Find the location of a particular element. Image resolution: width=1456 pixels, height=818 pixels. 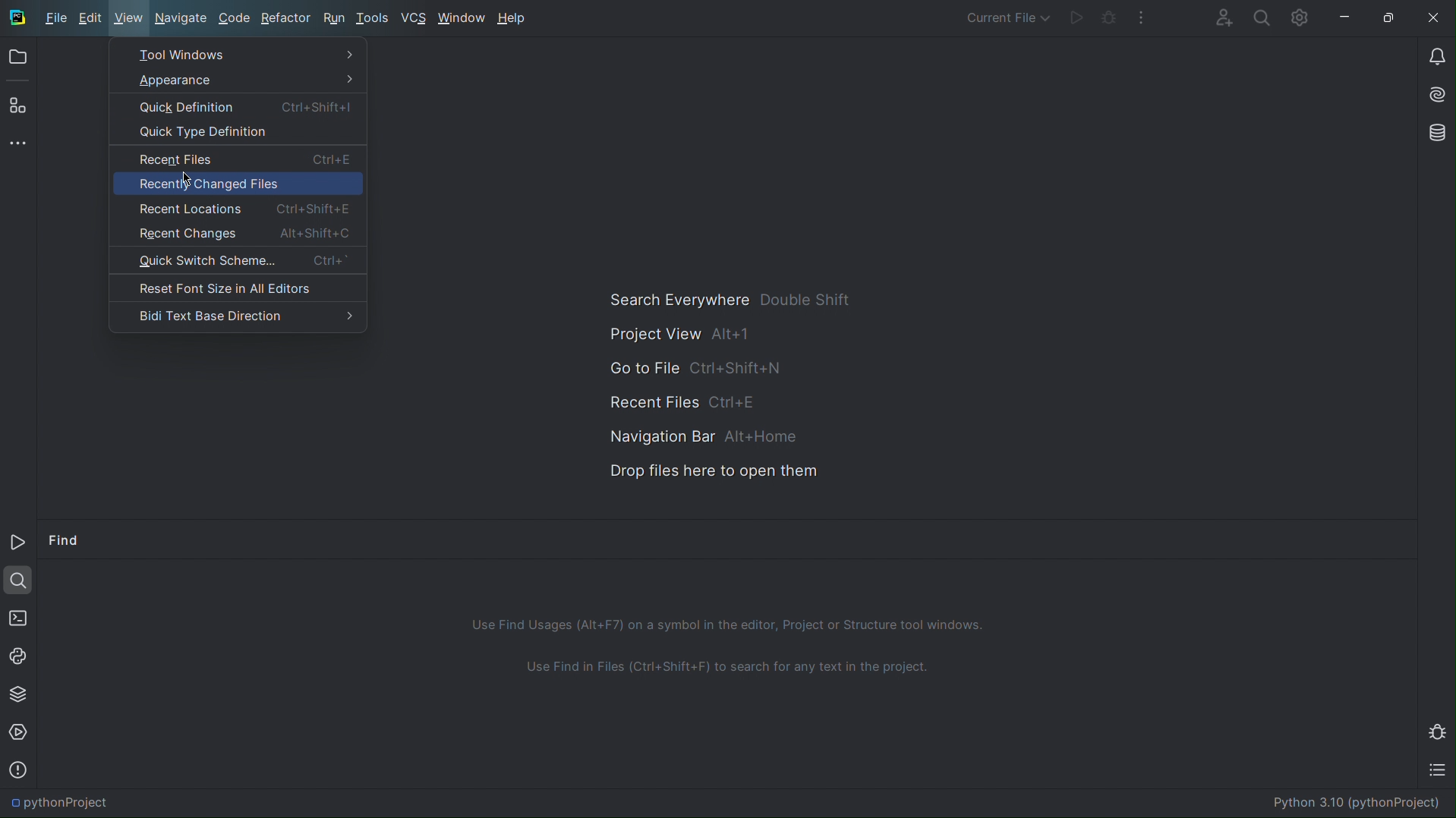

Window is located at coordinates (461, 19).